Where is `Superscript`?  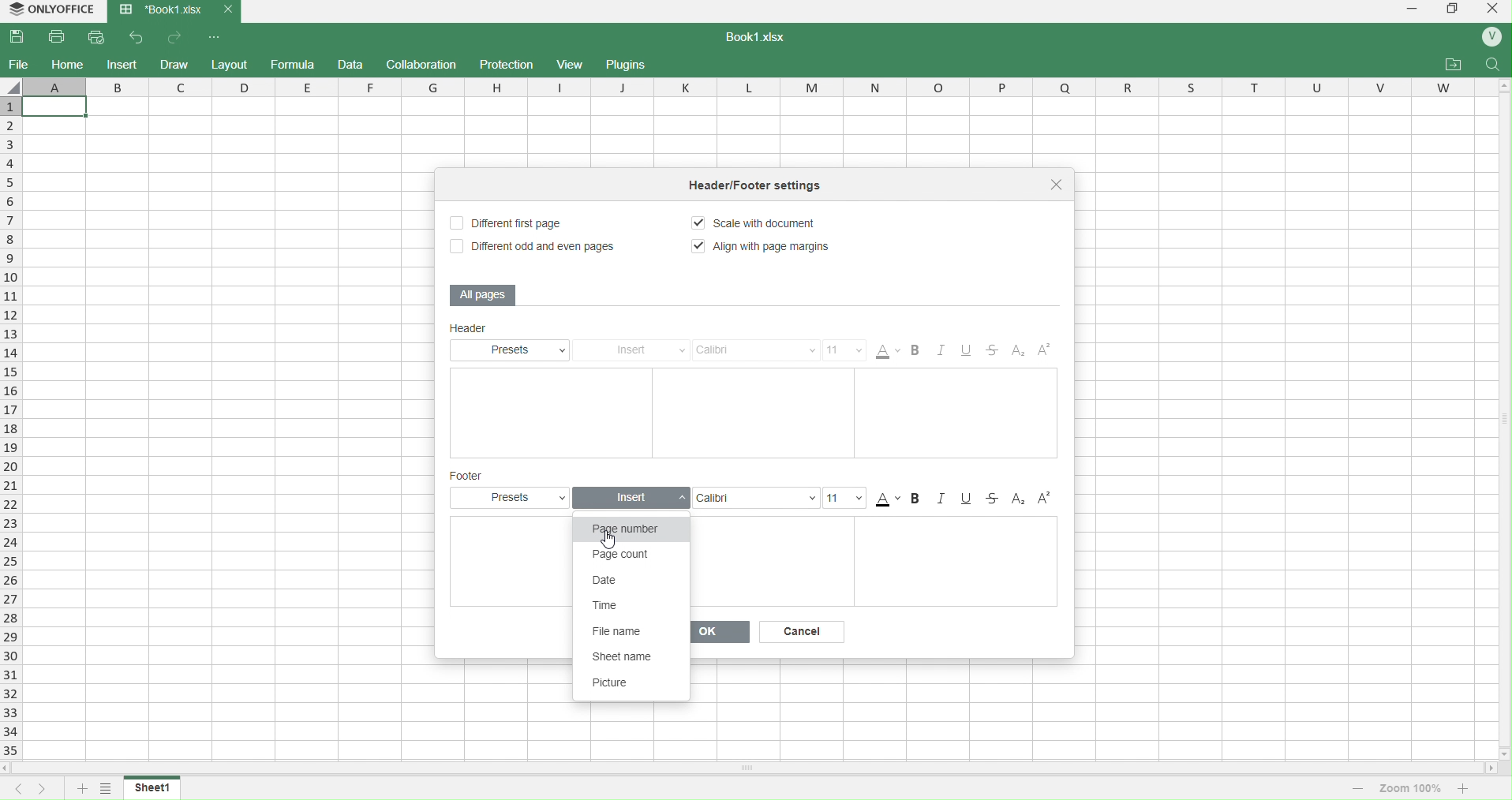
Superscript is located at coordinates (1045, 499).